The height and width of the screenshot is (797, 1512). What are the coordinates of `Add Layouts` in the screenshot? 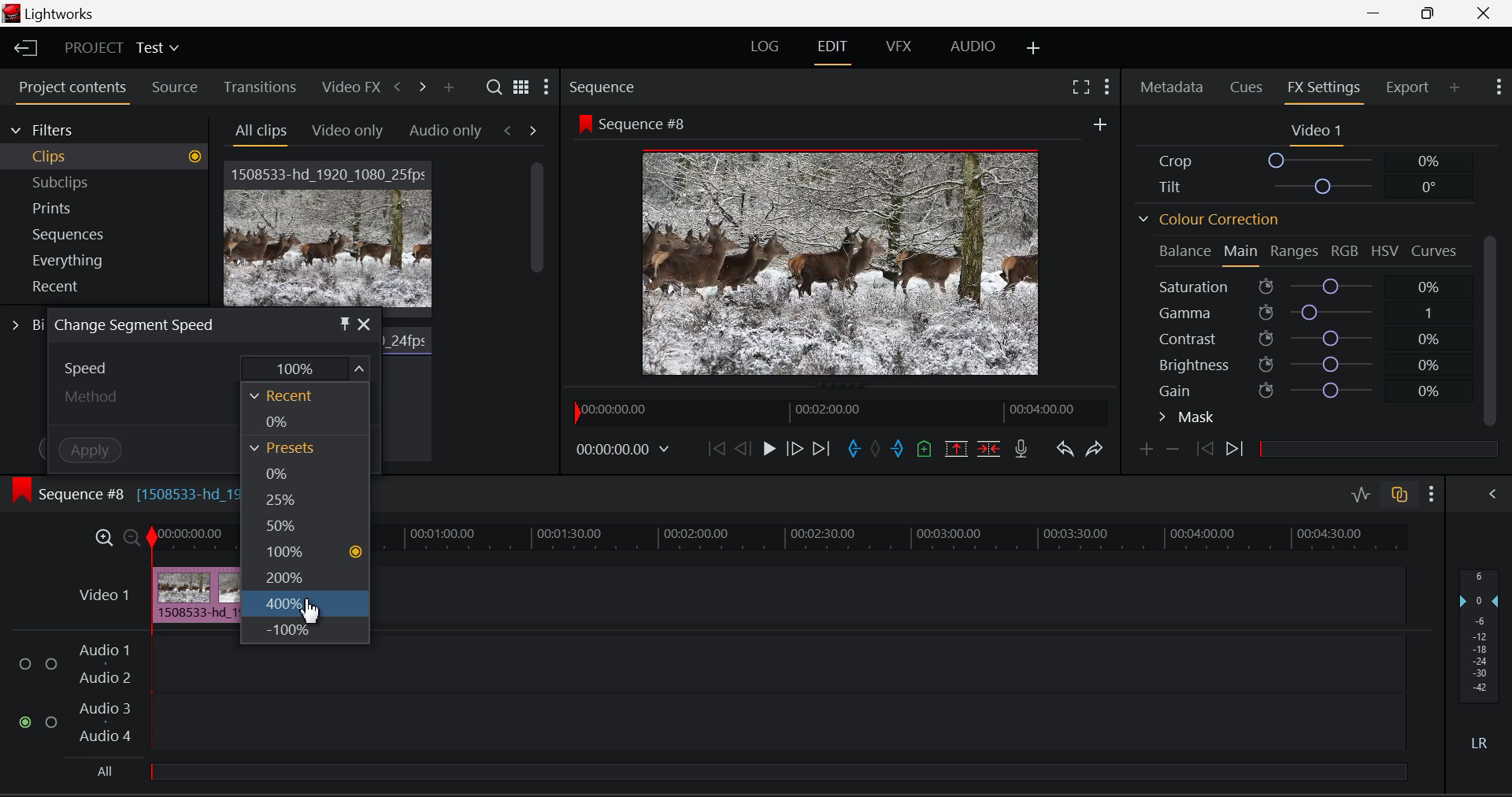 It's located at (1033, 46).